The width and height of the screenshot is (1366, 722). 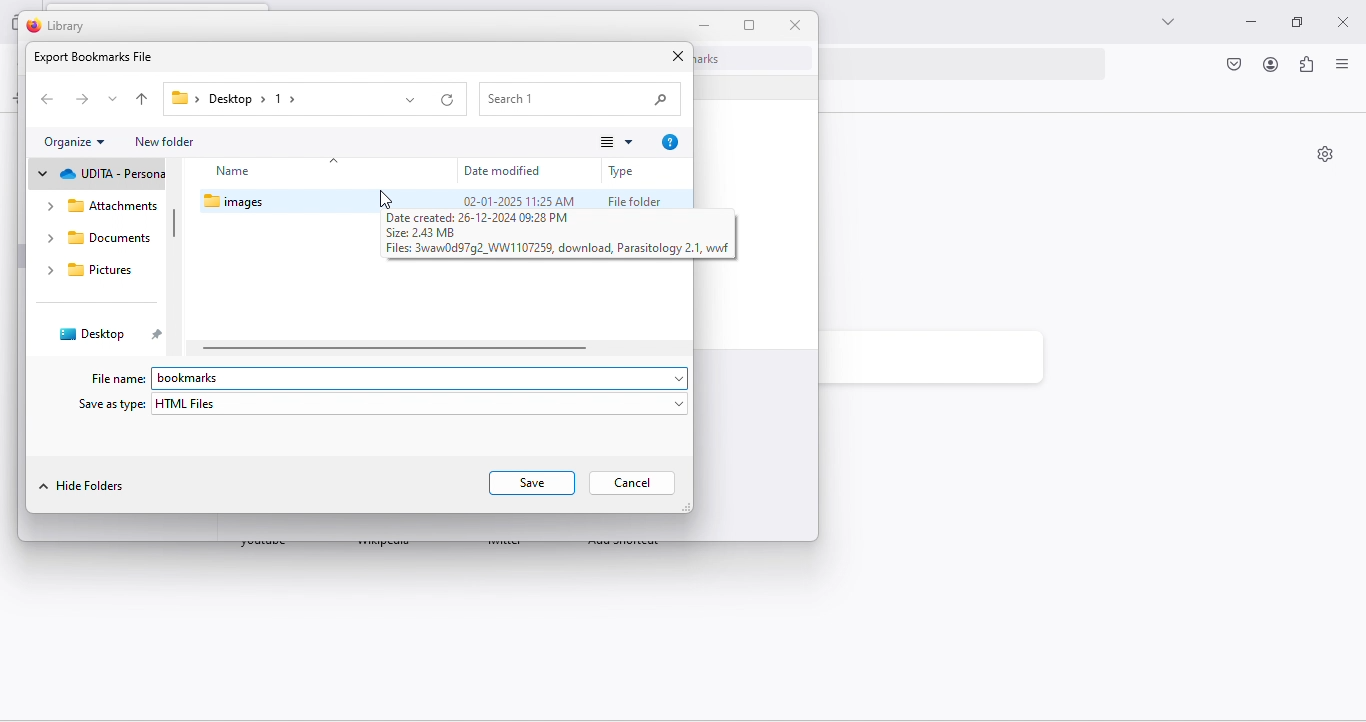 What do you see at coordinates (1341, 67) in the screenshot?
I see `view menu` at bounding box center [1341, 67].